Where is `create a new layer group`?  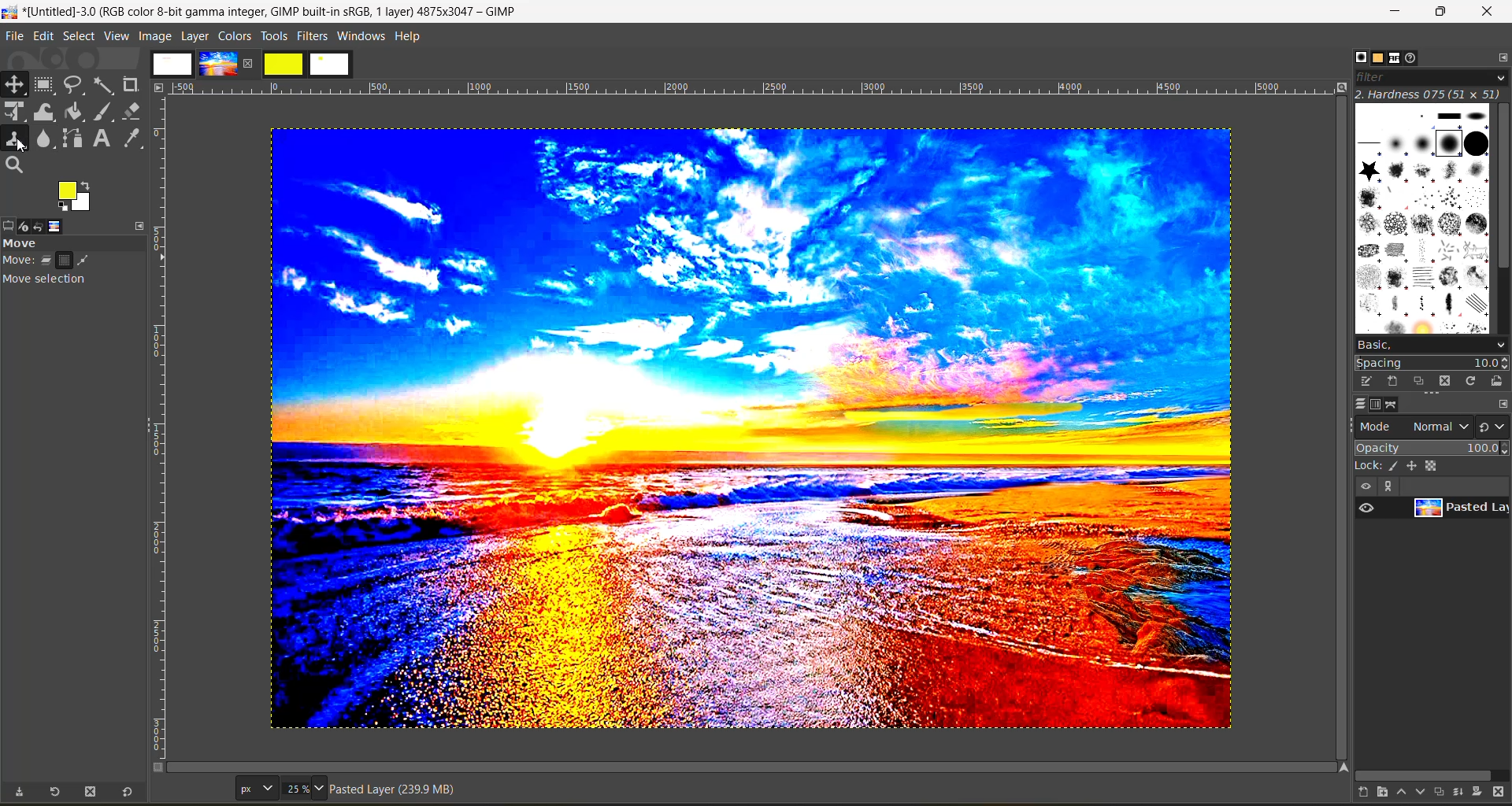 create a new layer group is located at coordinates (1374, 793).